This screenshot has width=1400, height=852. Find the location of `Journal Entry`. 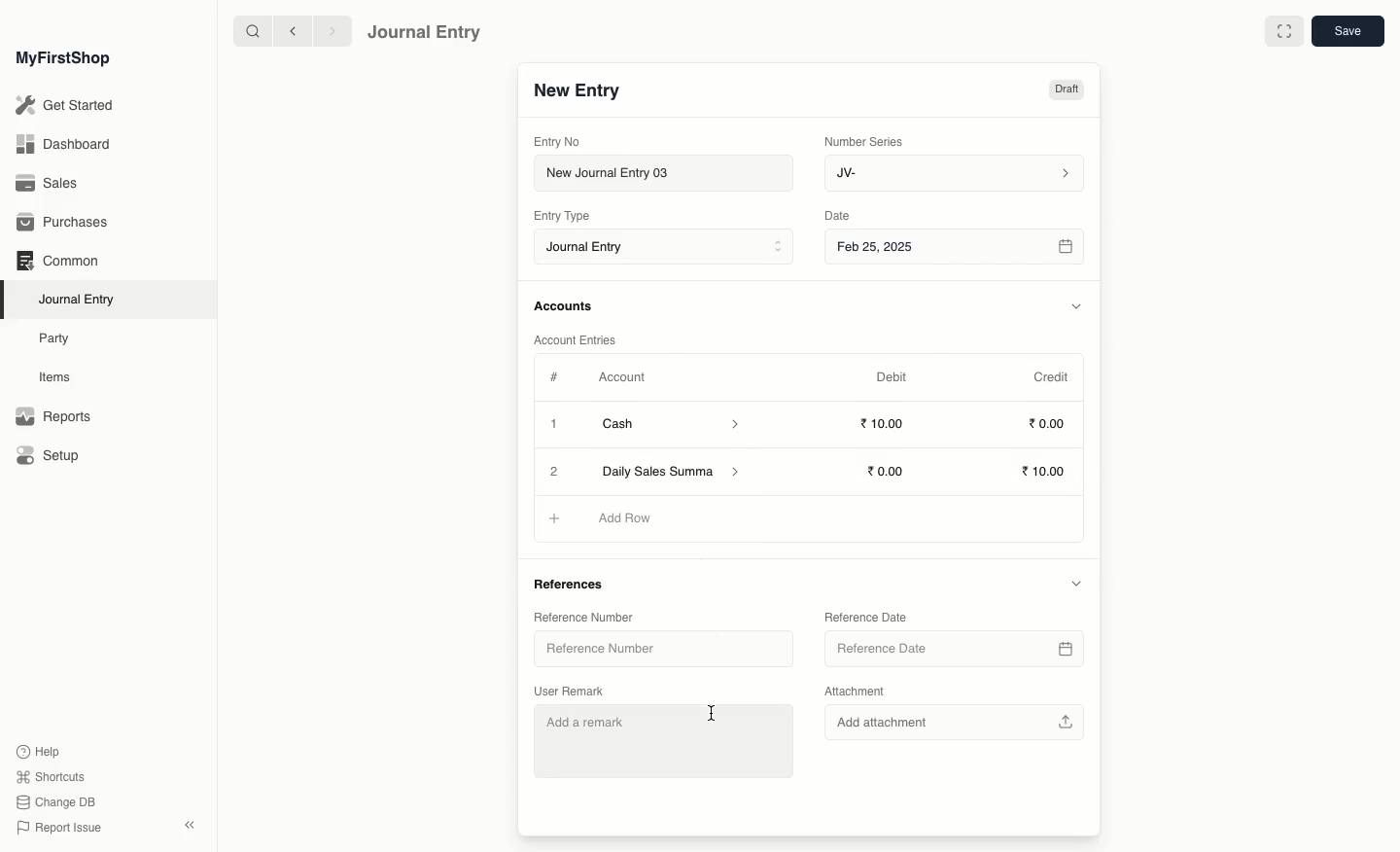

Journal Entry is located at coordinates (669, 248).